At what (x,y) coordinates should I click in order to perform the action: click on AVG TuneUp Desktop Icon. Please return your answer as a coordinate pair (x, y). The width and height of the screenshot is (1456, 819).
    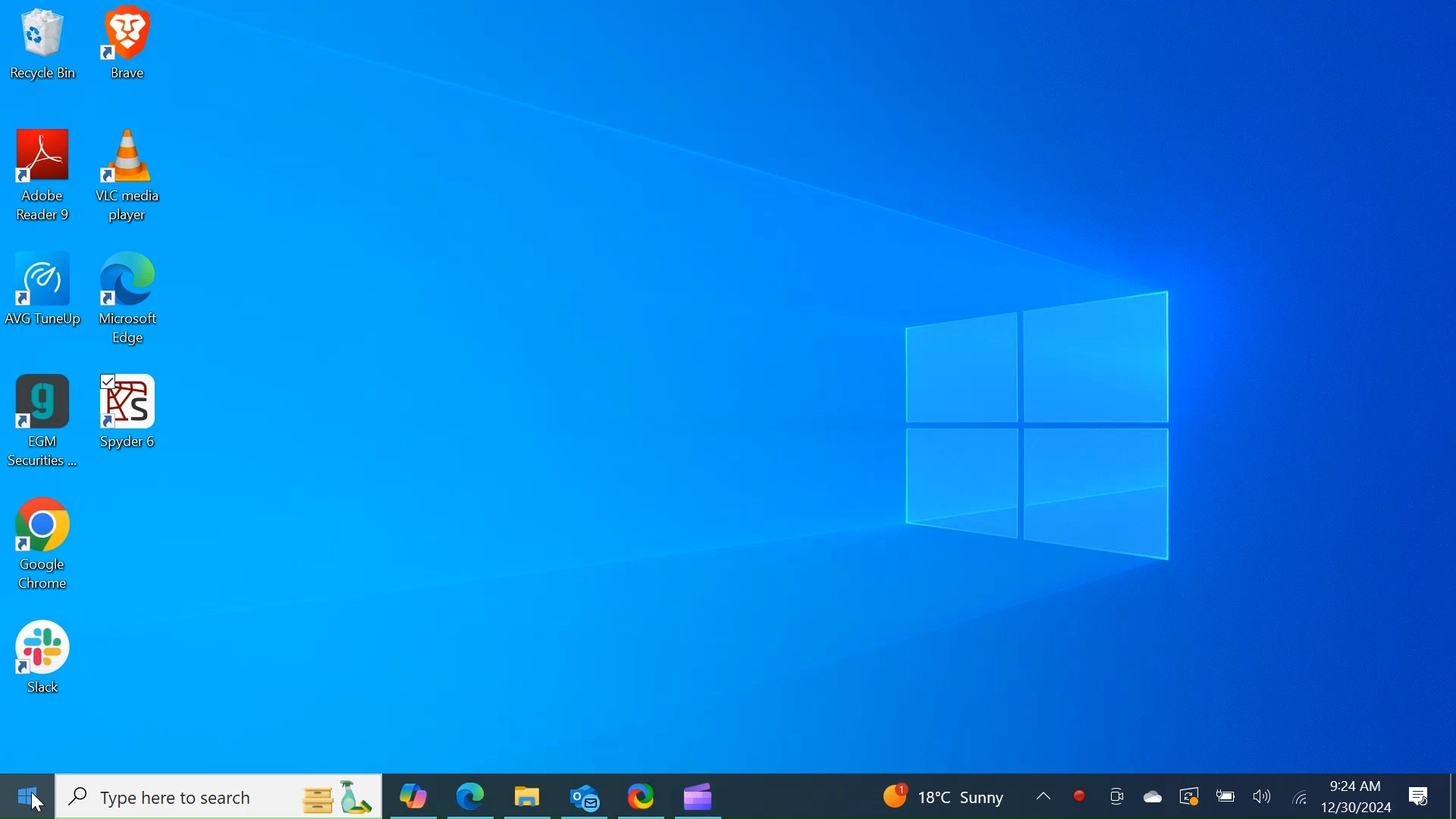
    Looking at the image, I should click on (44, 303).